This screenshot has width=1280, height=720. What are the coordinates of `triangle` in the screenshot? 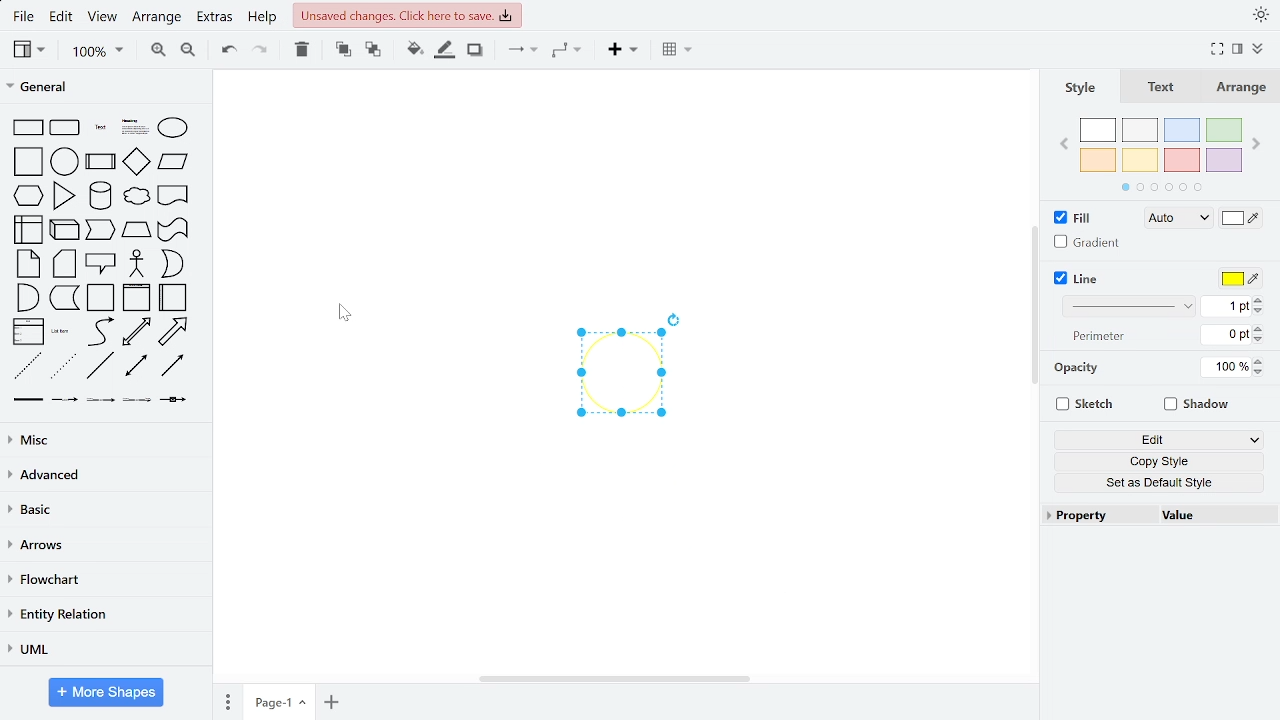 It's located at (65, 195).